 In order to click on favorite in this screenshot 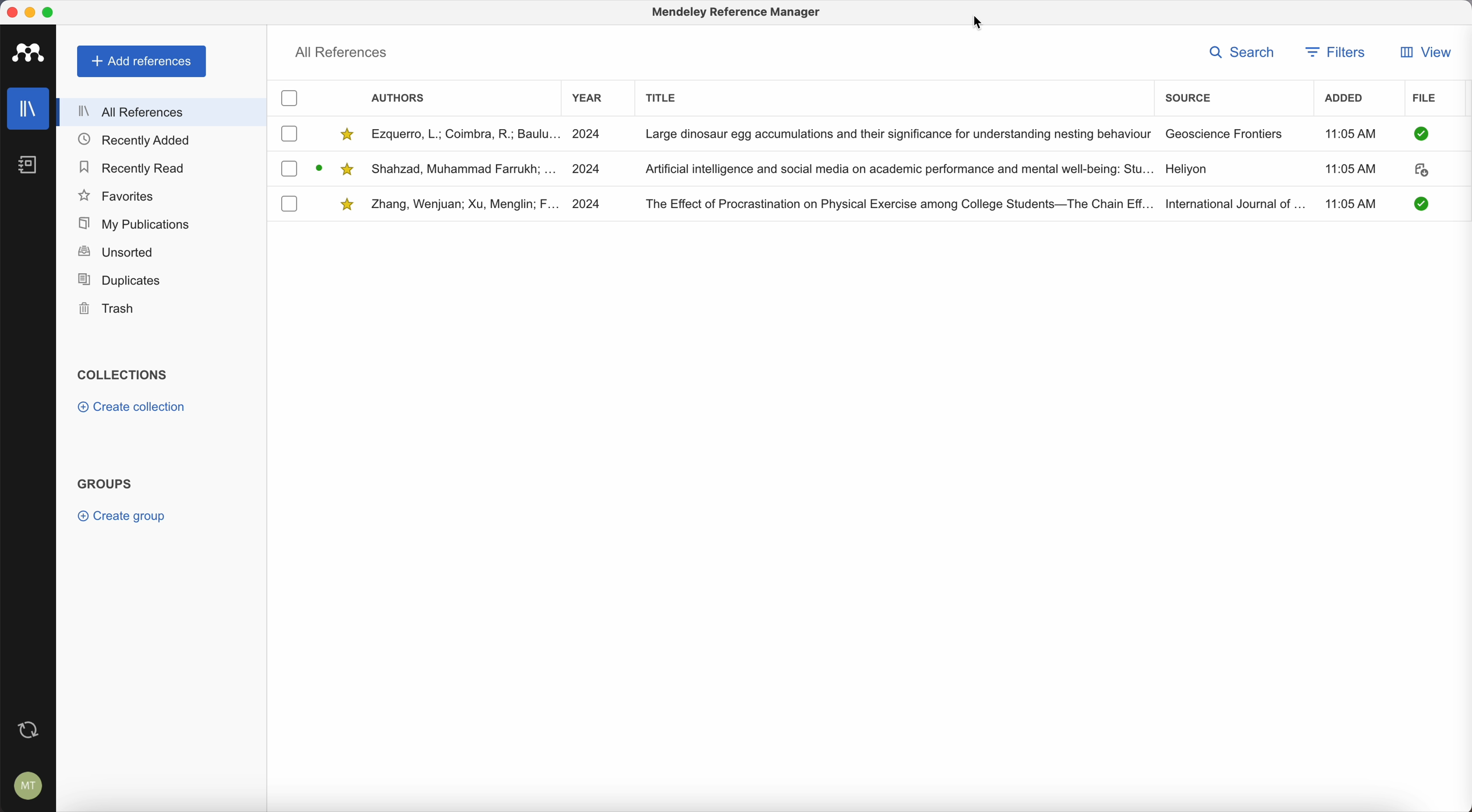, I will do `click(348, 168)`.